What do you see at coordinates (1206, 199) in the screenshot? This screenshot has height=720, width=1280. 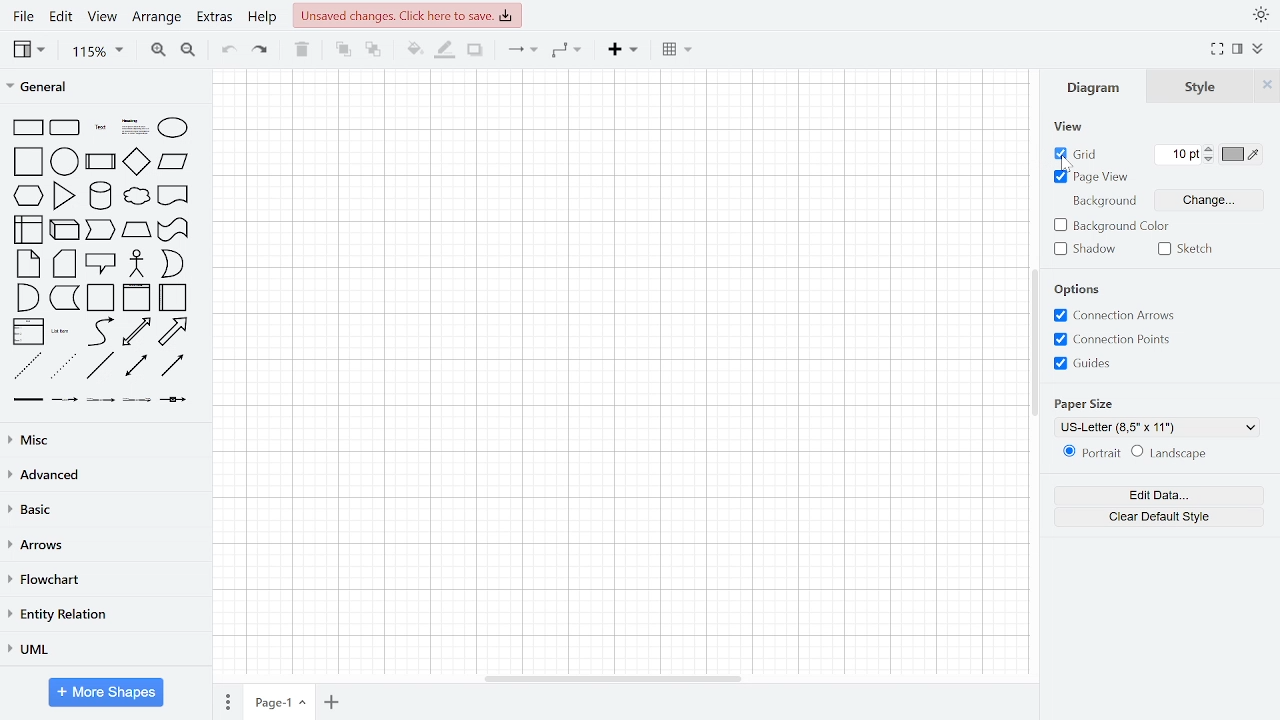 I see `change background` at bounding box center [1206, 199].